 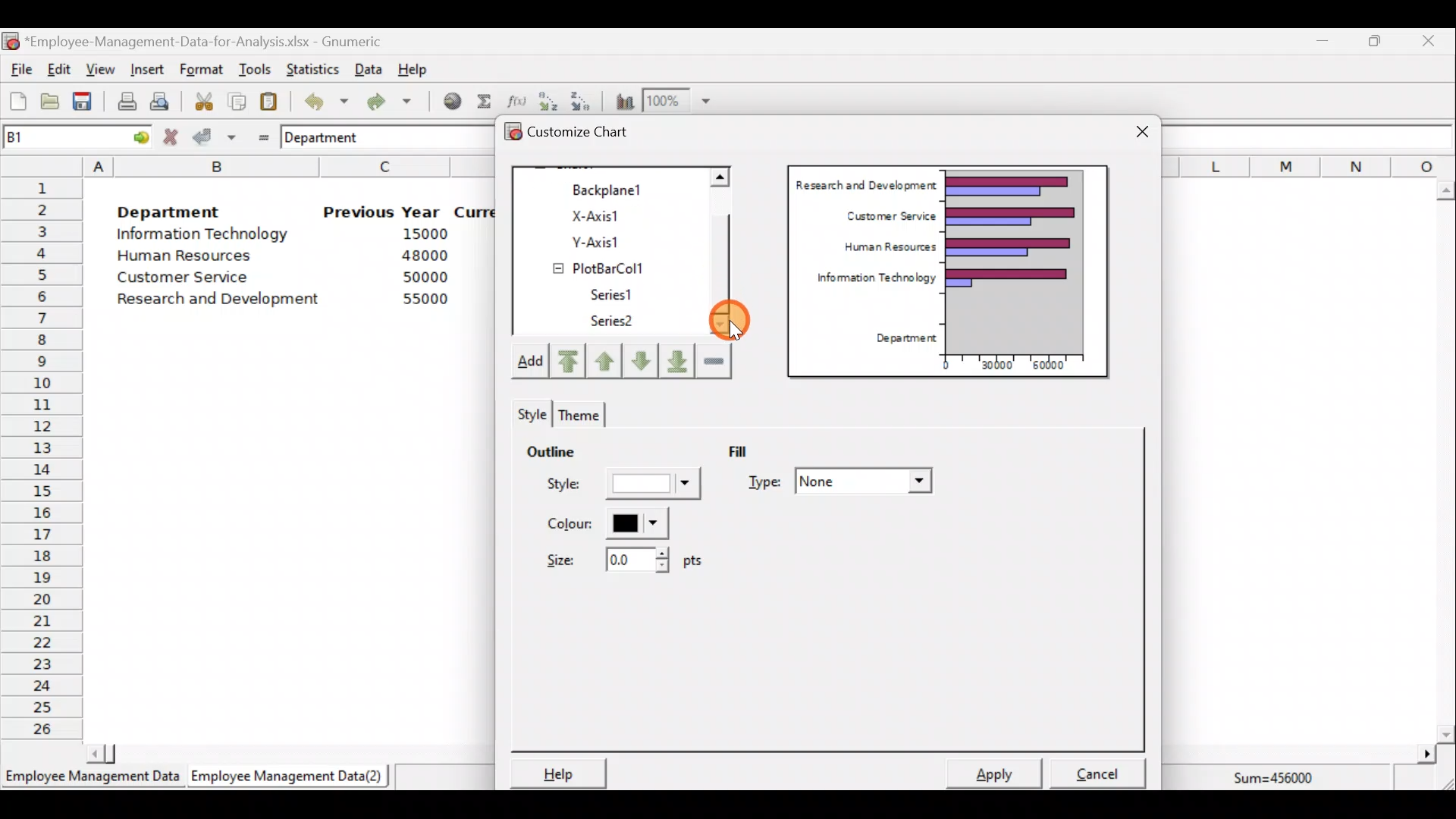 I want to click on Maximize, so click(x=1375, y=40).